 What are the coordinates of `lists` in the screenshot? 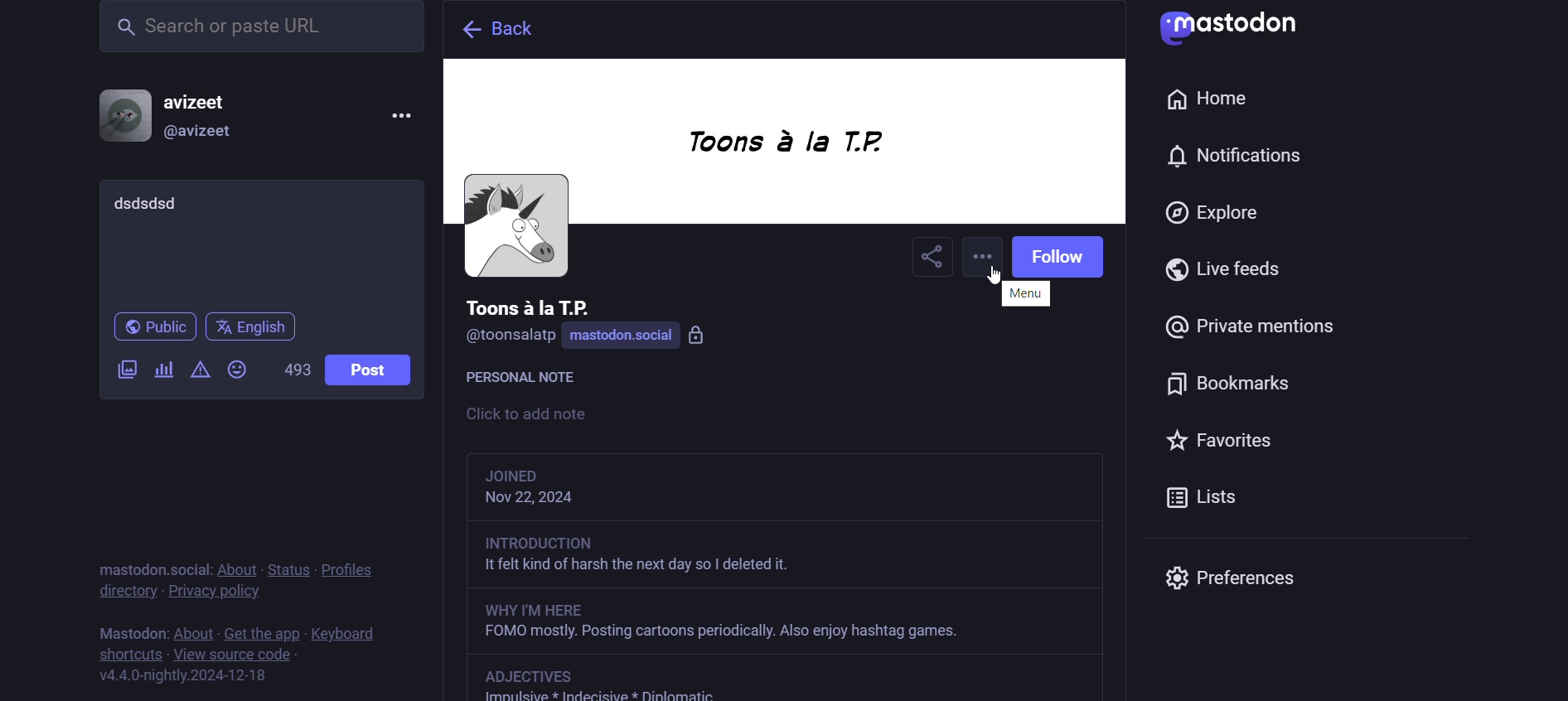 It's located at (1212, 496).